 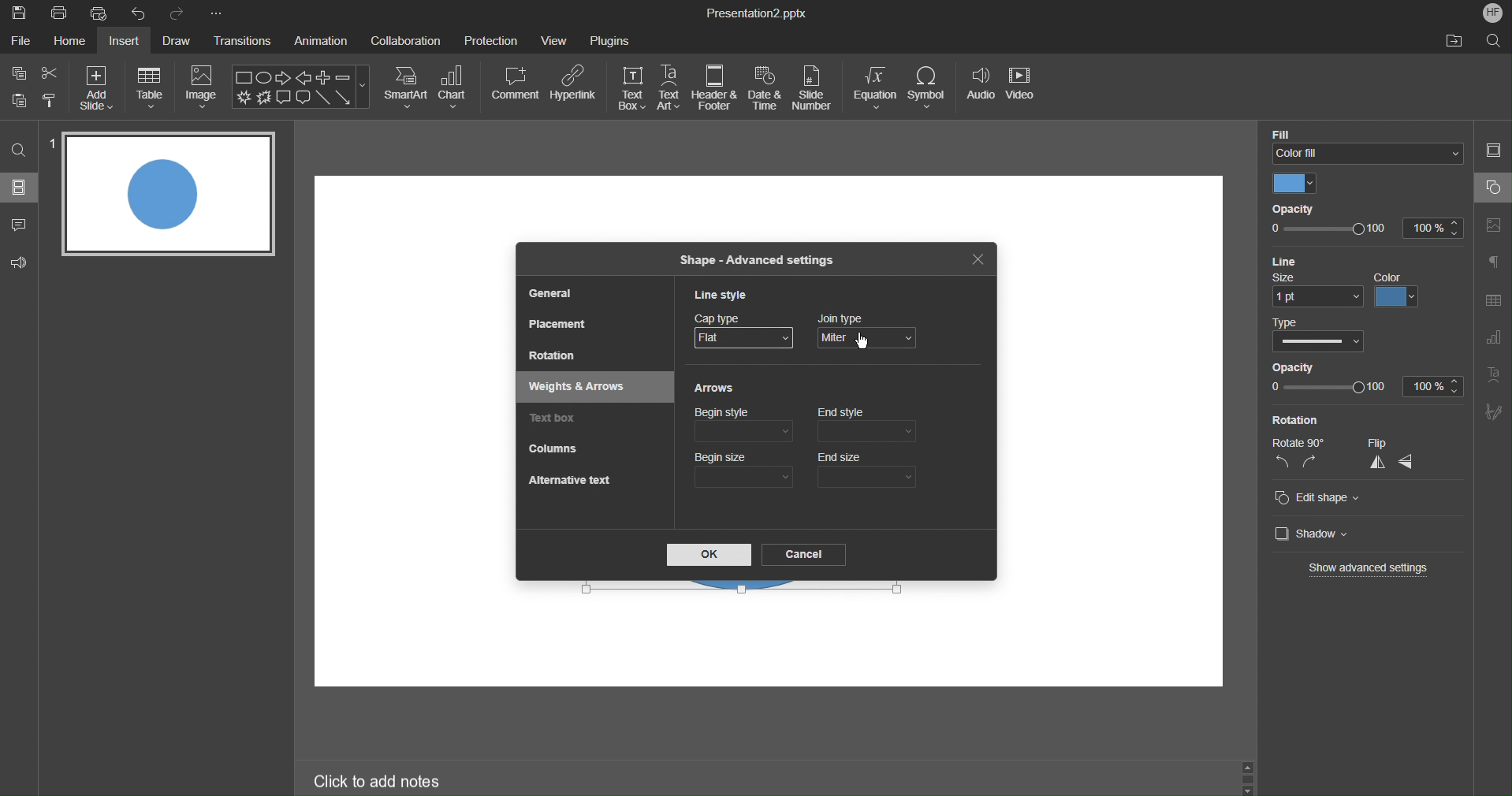 What do you see at coordinates (553, 448) in the screenshot?
I see `Columns` at bounding box center [553, 448].